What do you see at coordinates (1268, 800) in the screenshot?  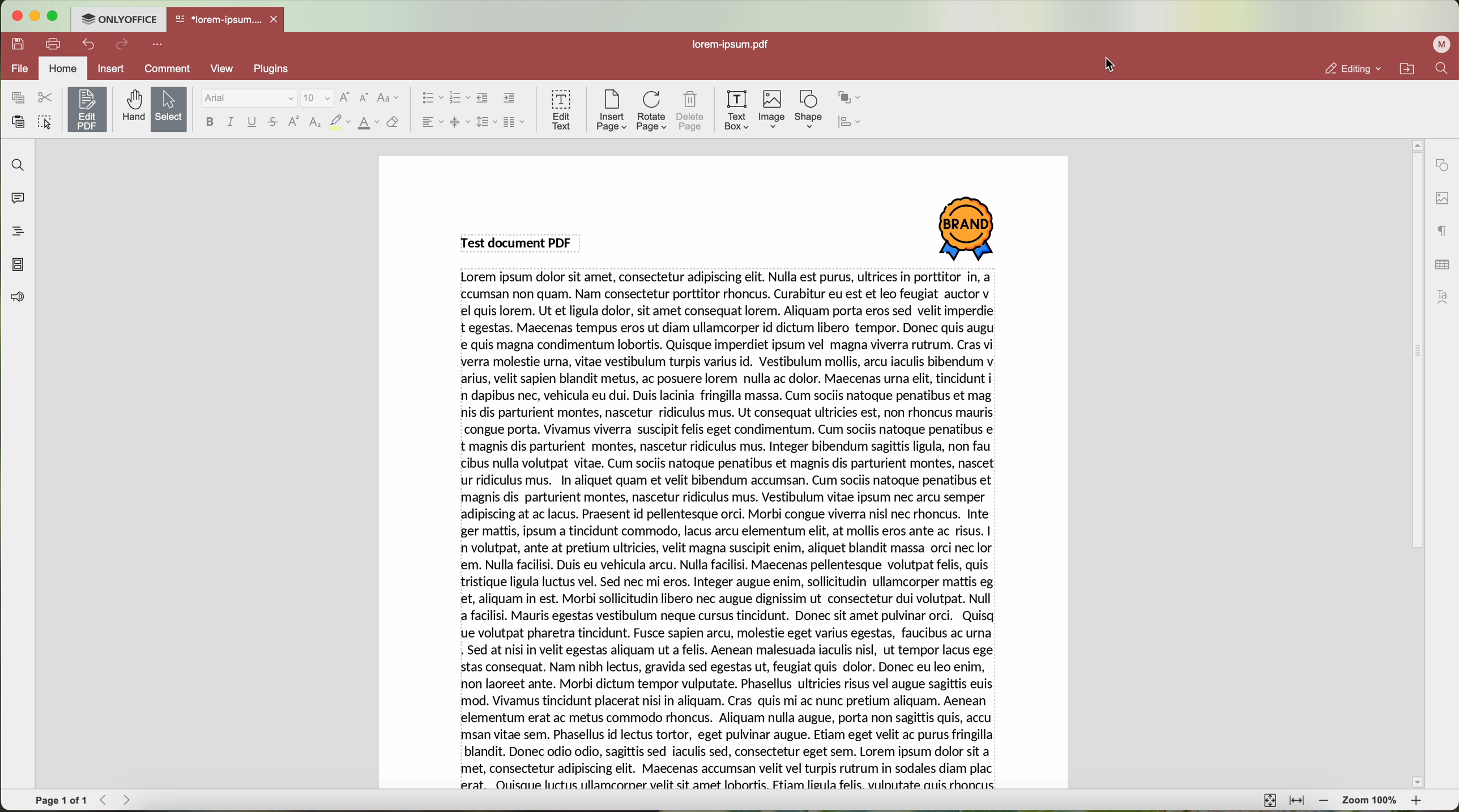 I see `fit to page` at bounding box center [1268, 800].